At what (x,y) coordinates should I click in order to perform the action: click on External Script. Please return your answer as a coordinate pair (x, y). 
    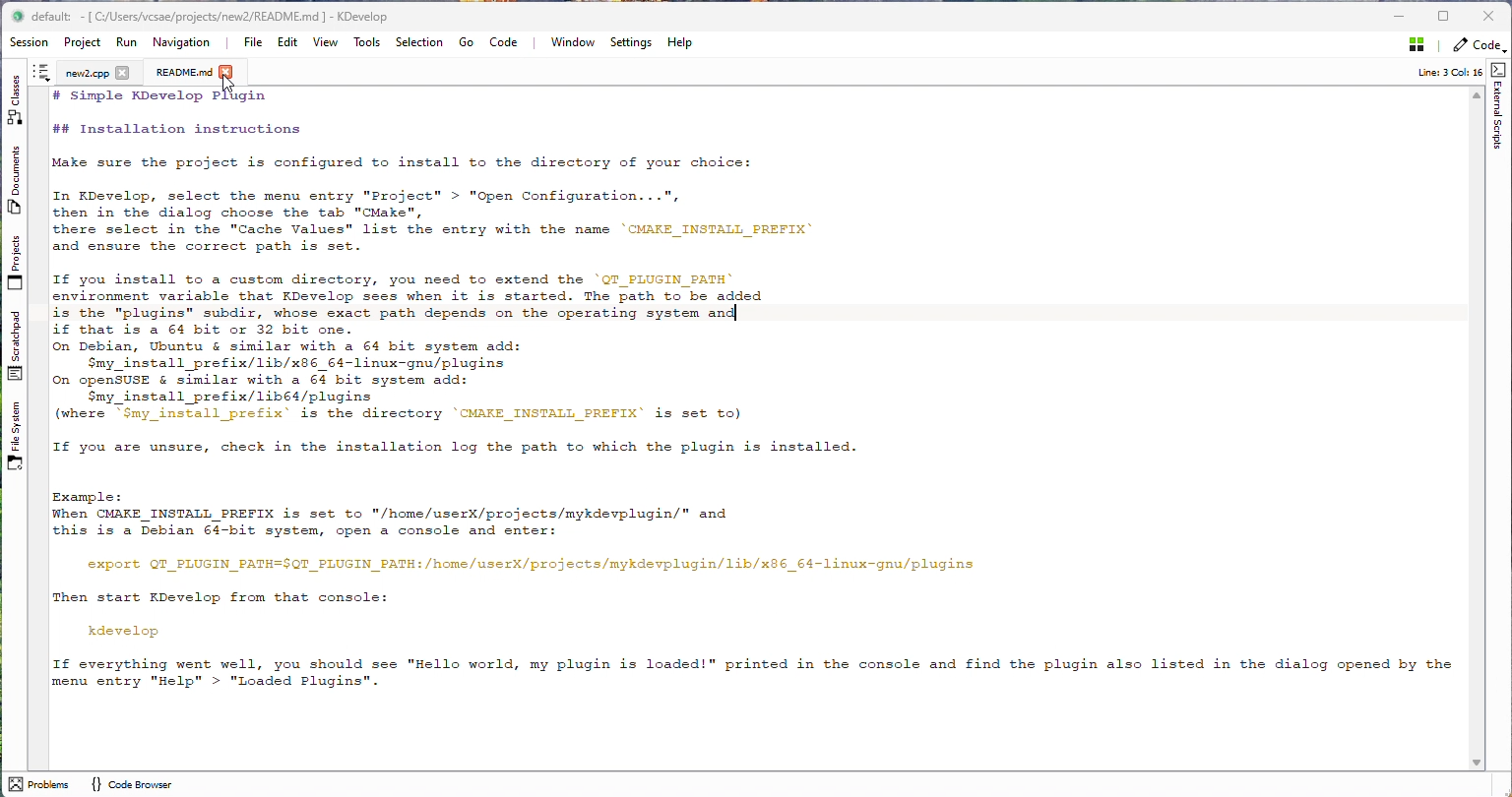
    Looking at the image, I should click on (1497, 106).